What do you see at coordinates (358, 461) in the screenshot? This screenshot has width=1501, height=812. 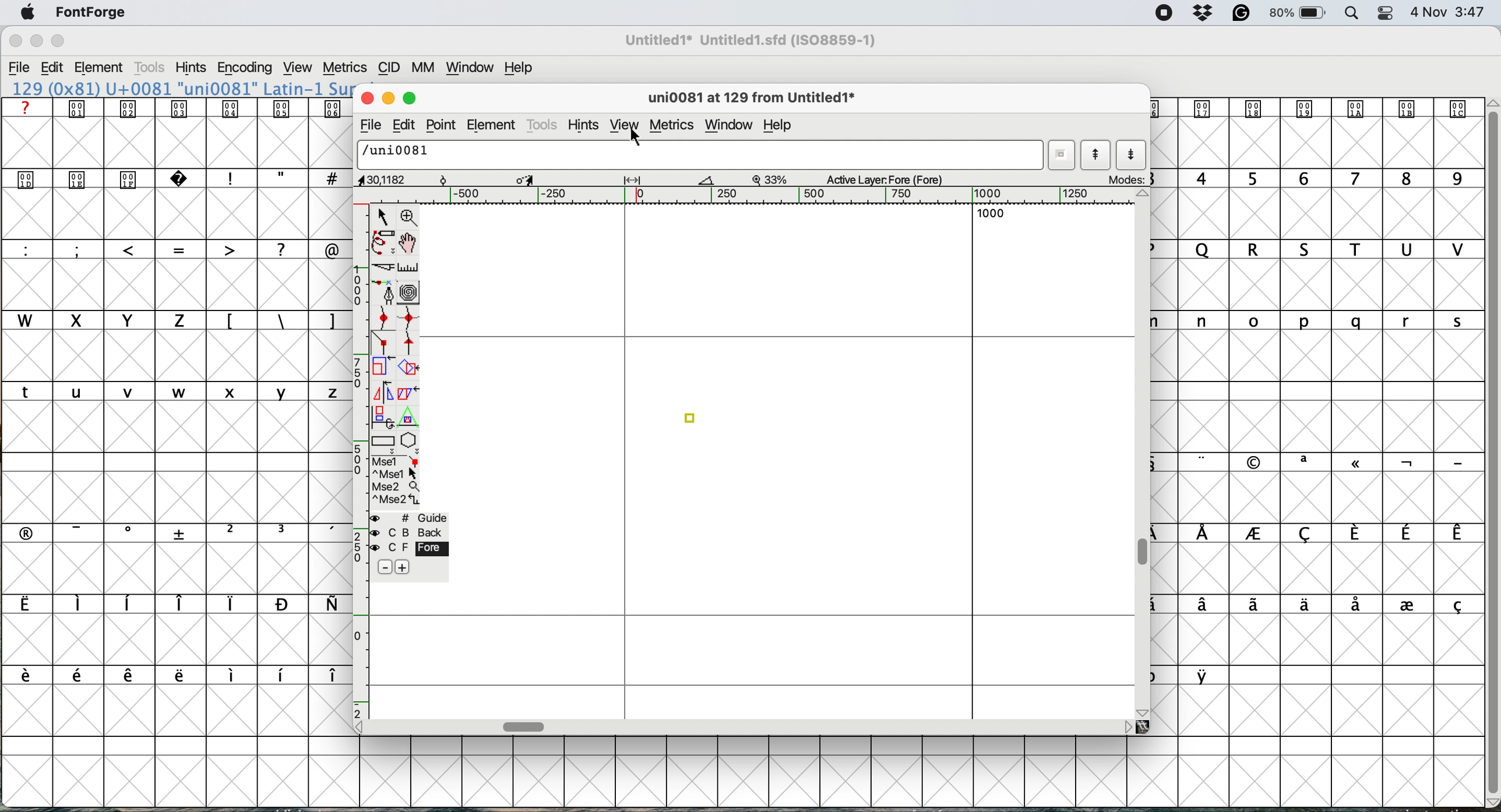 I see `vertical scale` at bounding box center [358, 461].